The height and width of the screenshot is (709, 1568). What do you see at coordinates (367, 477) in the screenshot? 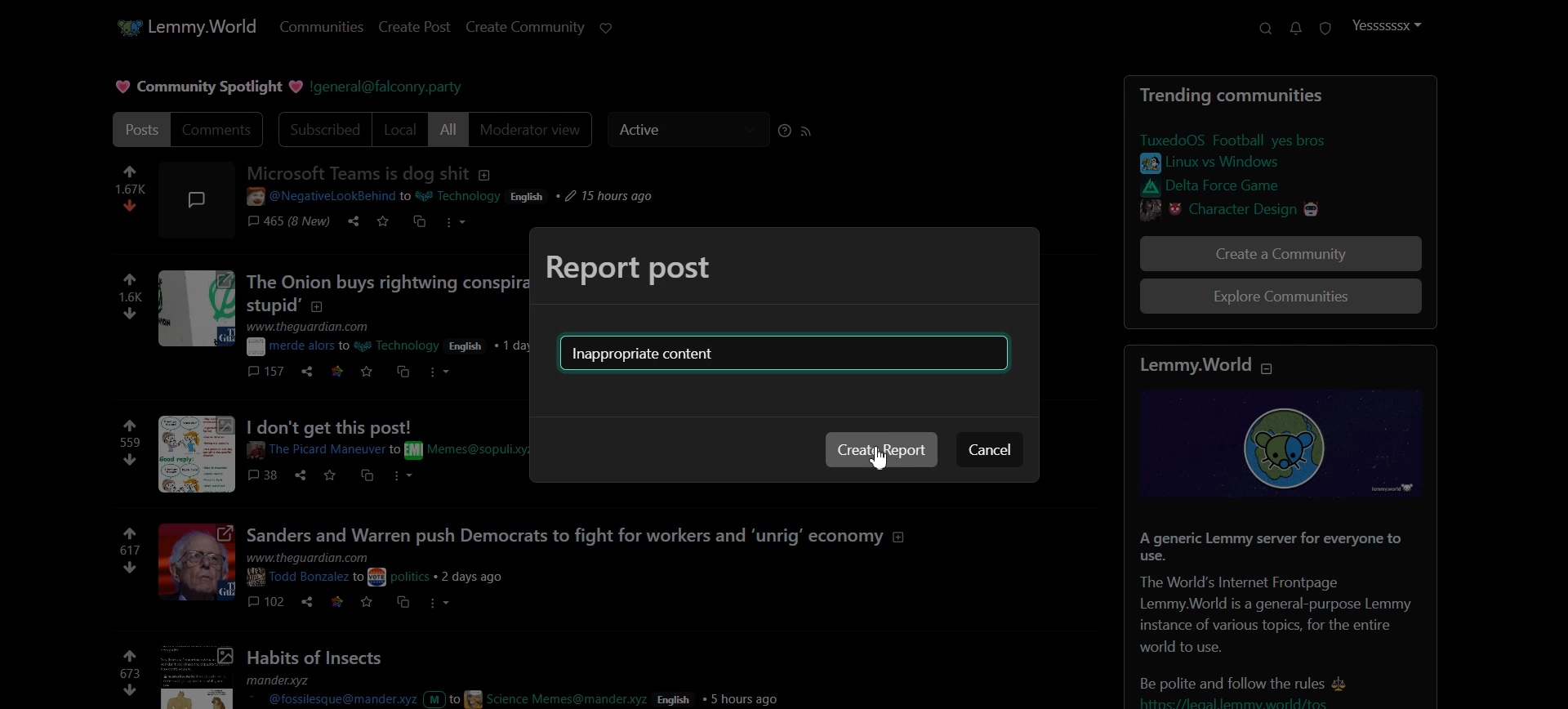
I see `cs` at bounding box center [367, 477].